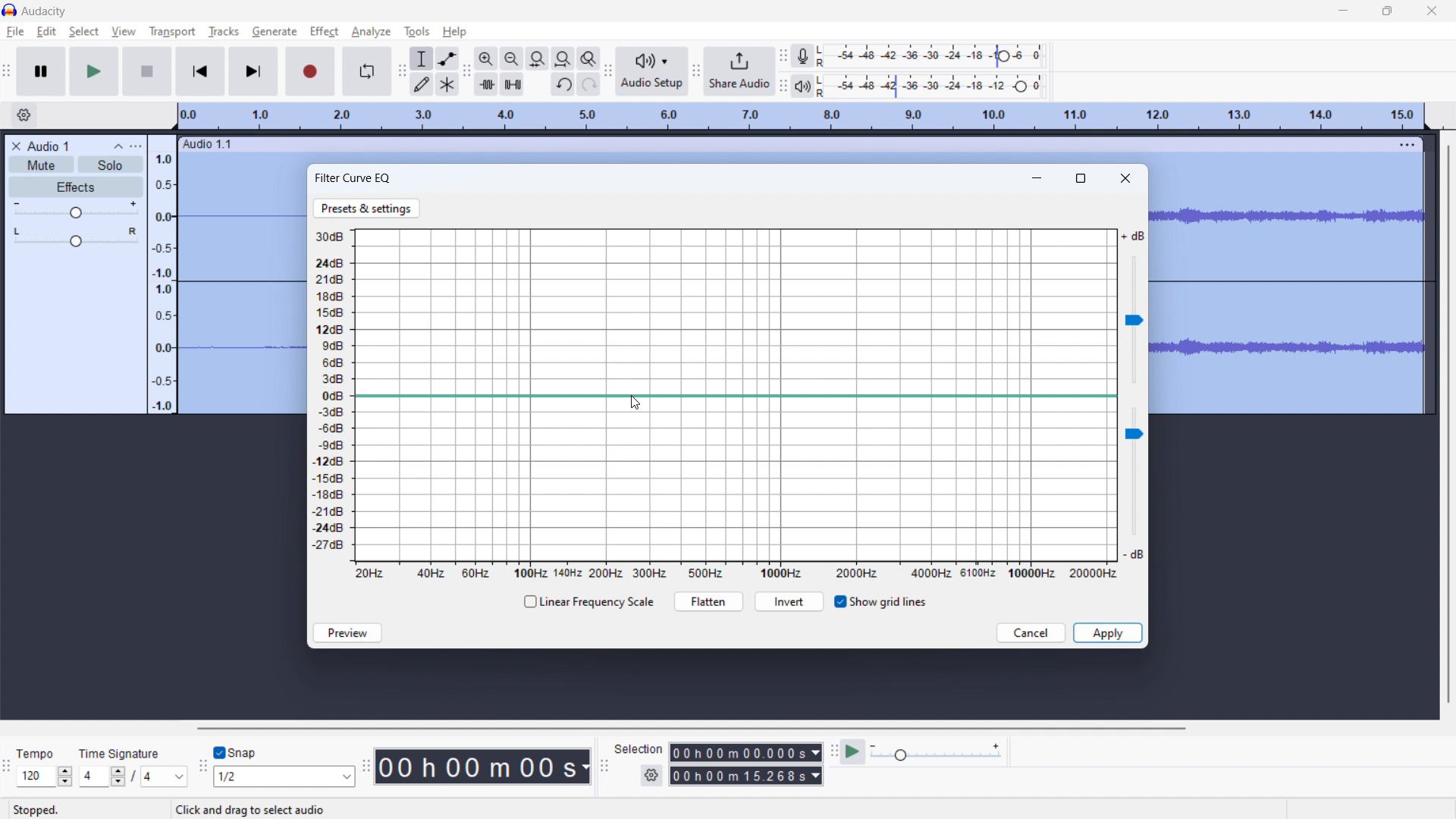 This screenshot has height=819, width=1456. I want to click on pause, so click(42, 71).